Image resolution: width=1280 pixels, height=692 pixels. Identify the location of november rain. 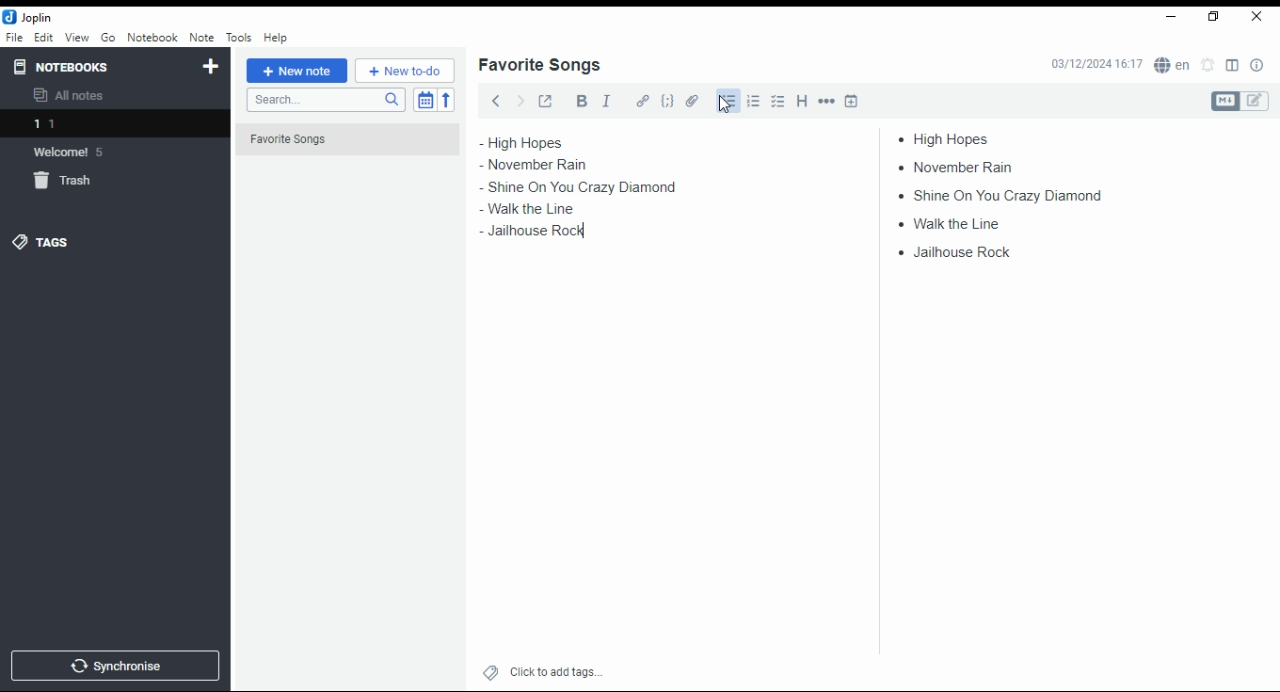
(962, 166).